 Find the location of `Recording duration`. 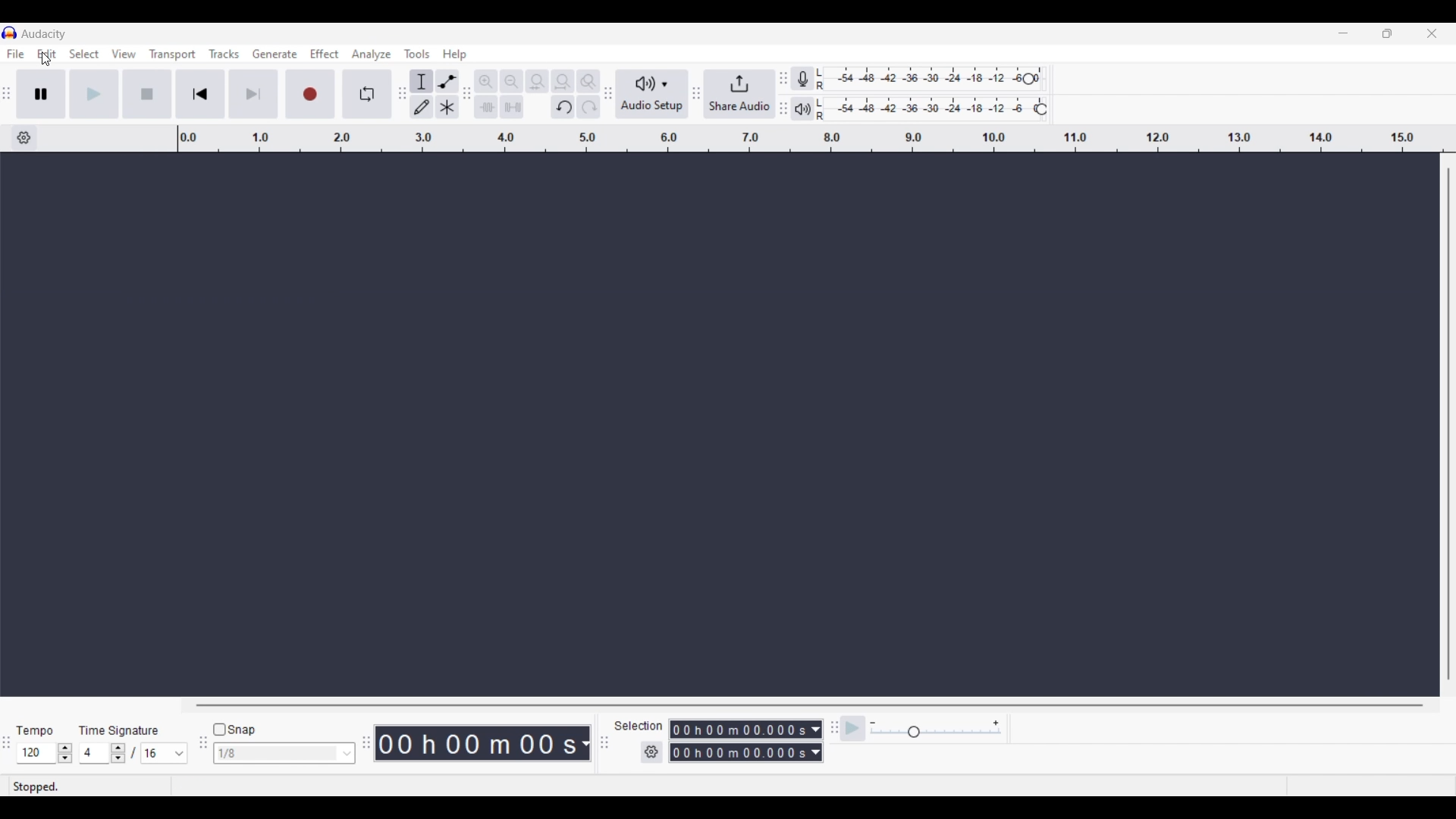

Recording duration is located at coordinates (737, 741).